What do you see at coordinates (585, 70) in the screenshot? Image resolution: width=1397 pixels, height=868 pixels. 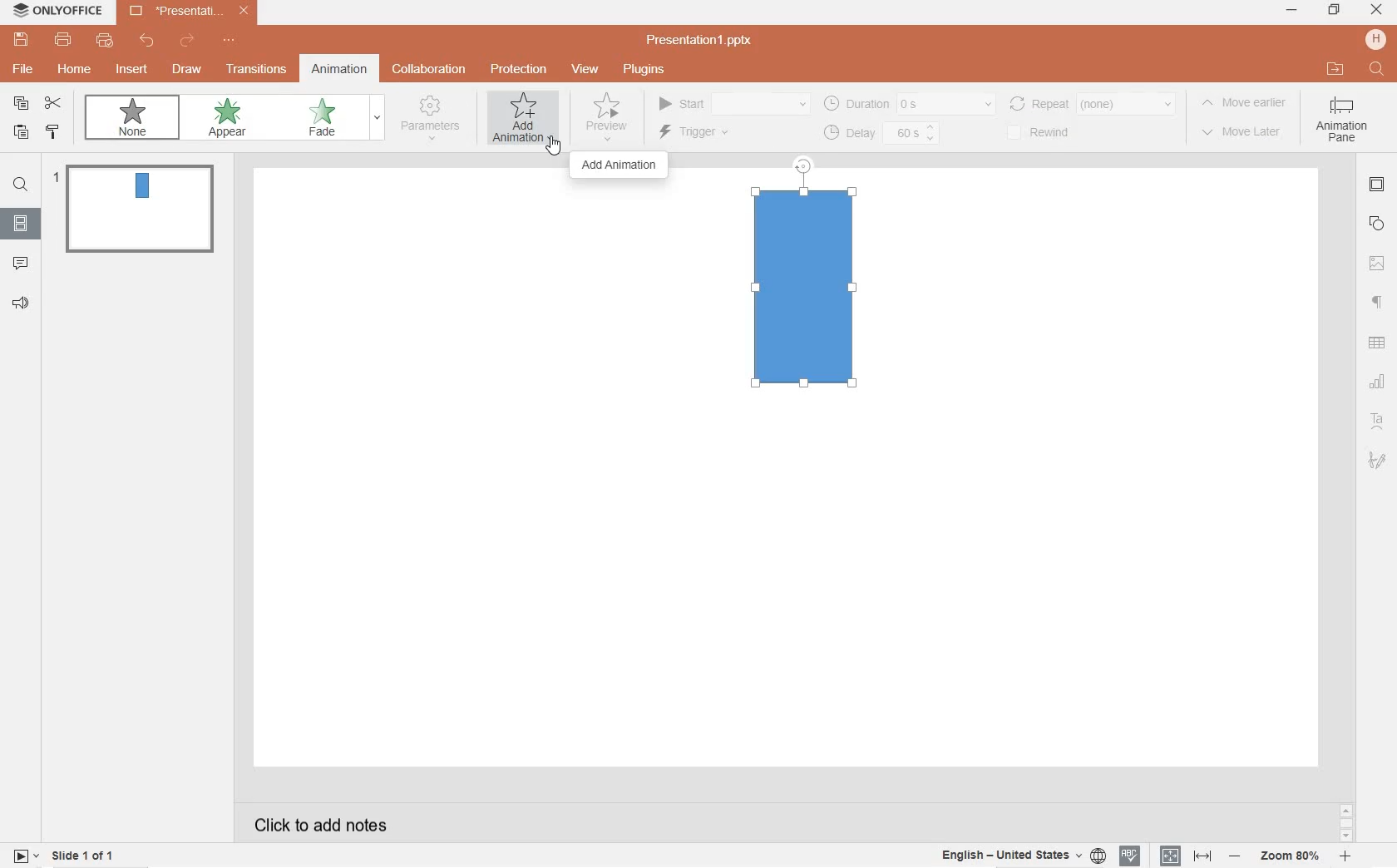 I see `view` at bounding box center [585, 70].